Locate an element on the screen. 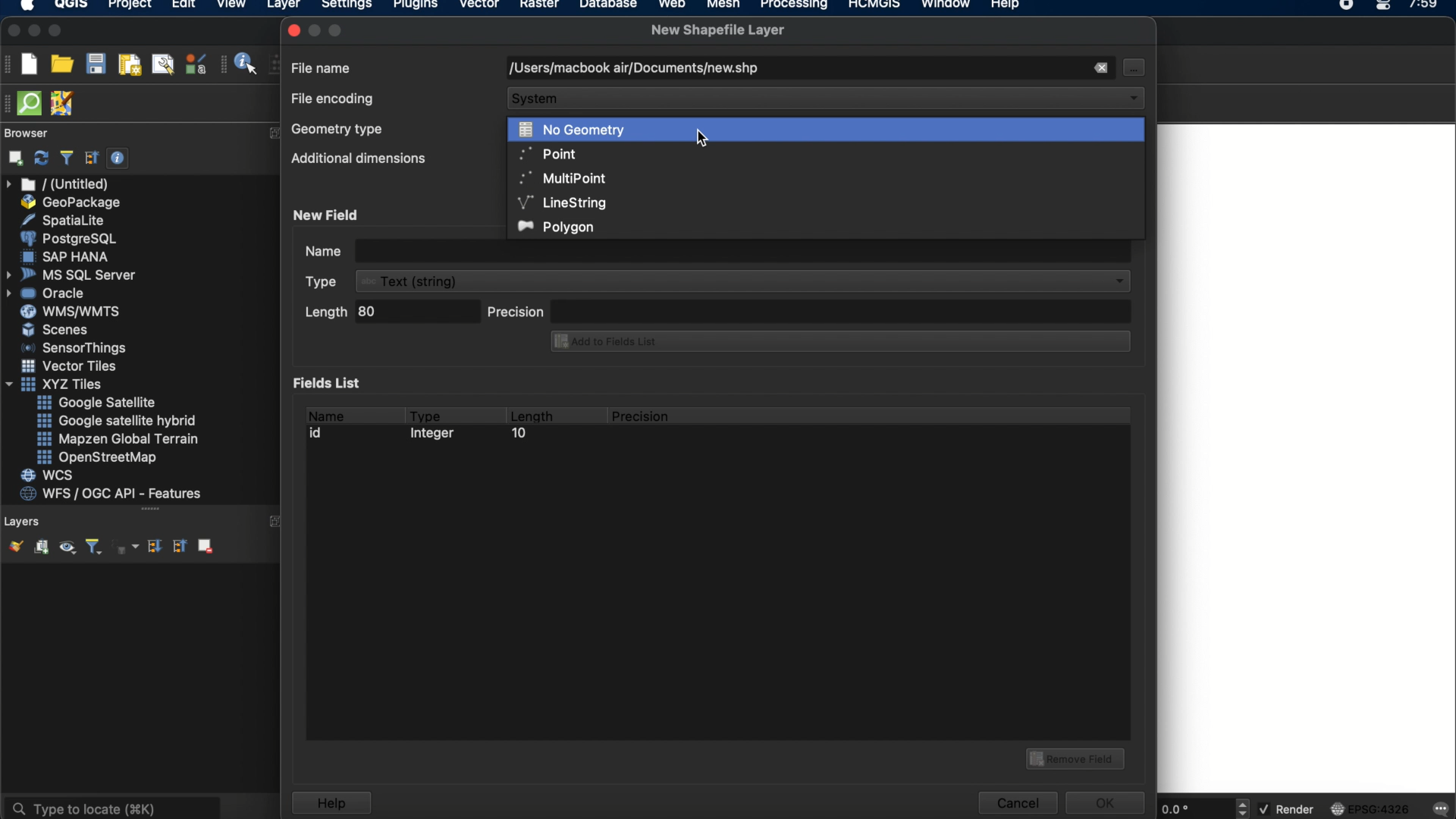 The image size is (1456, 819). identify features is located at coordinates (240, 64).